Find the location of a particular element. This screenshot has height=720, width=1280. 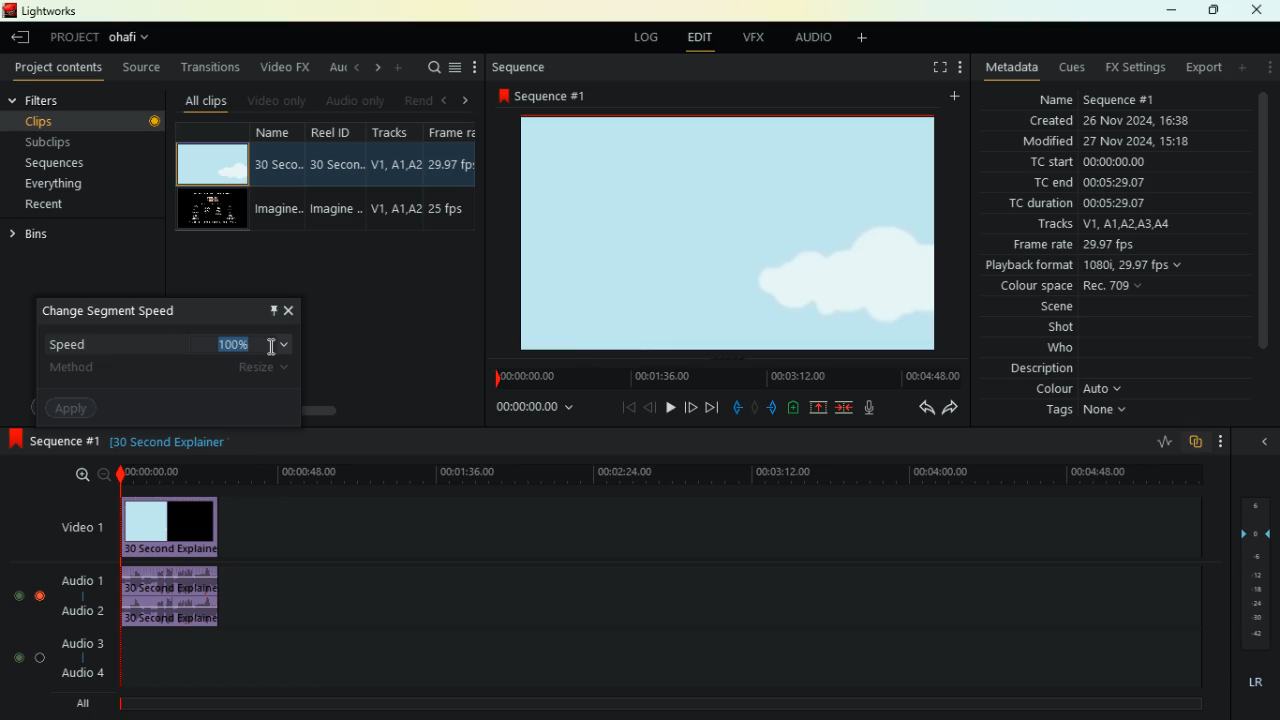

add is located at coordinates (959, 96).